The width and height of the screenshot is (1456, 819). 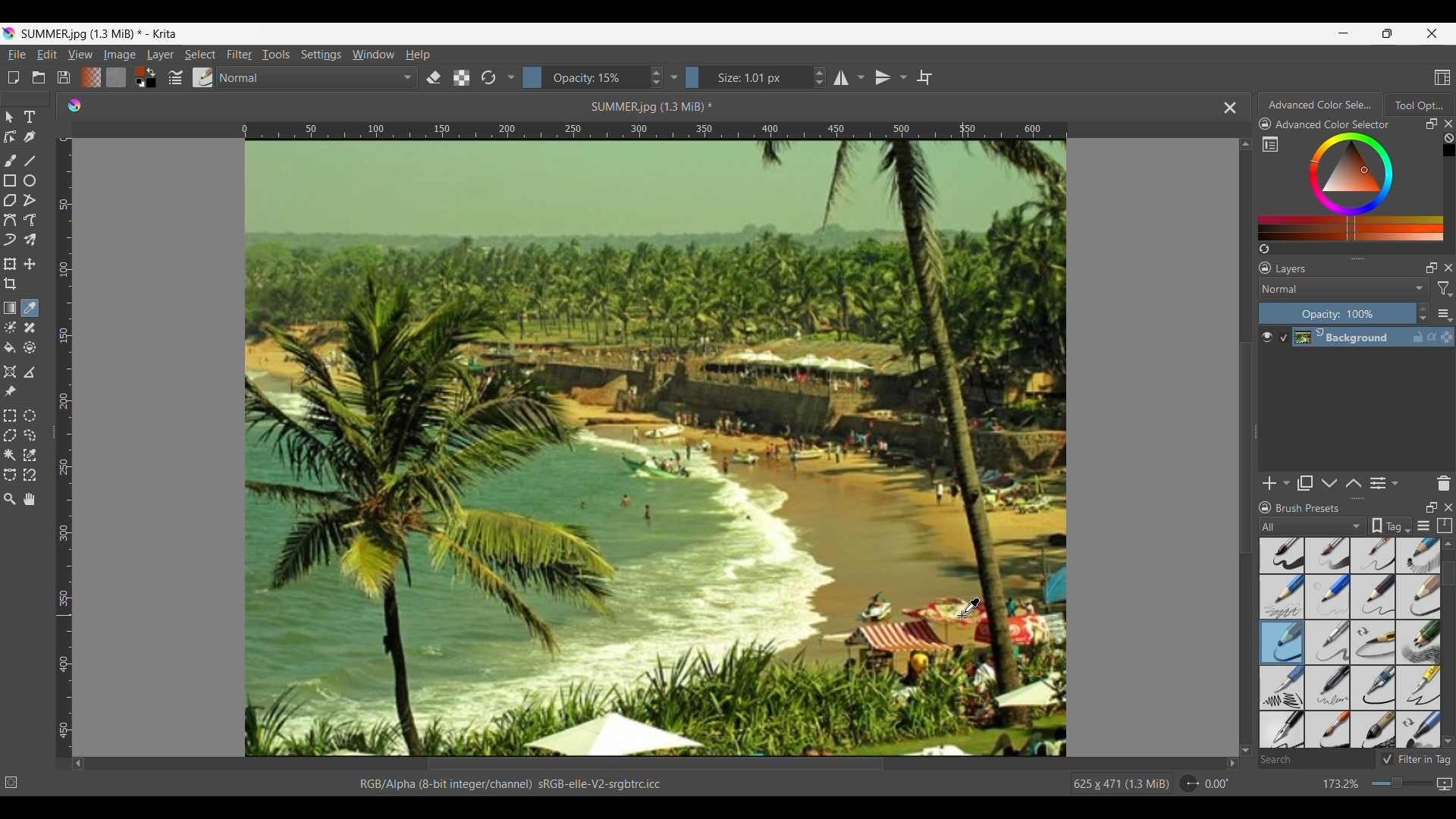 I want to click on Settings dropdown, so click(x=510, y=77).